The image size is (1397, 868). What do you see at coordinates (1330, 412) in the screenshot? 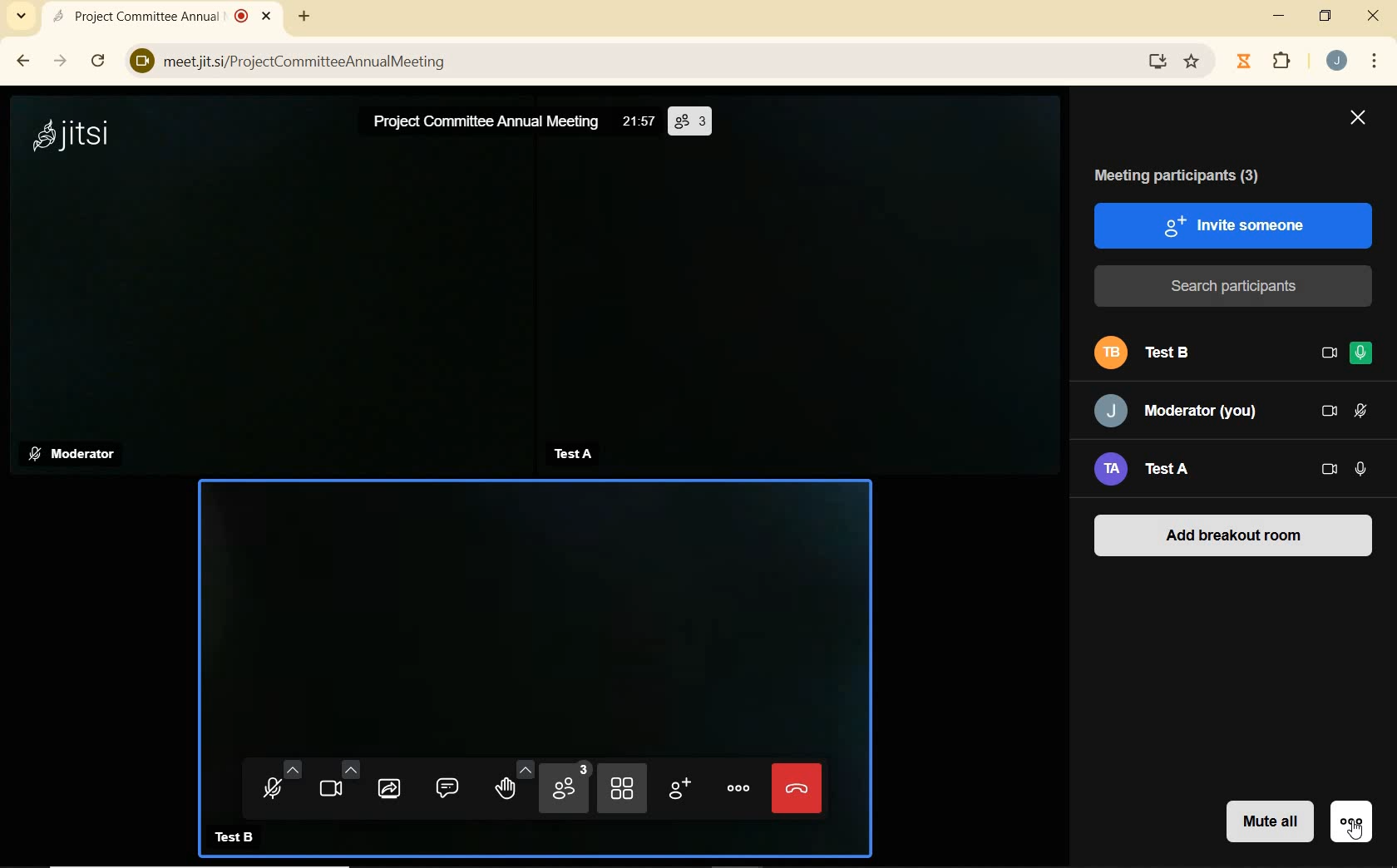
I see `CAMERA` at bounding box center [1330, 412].